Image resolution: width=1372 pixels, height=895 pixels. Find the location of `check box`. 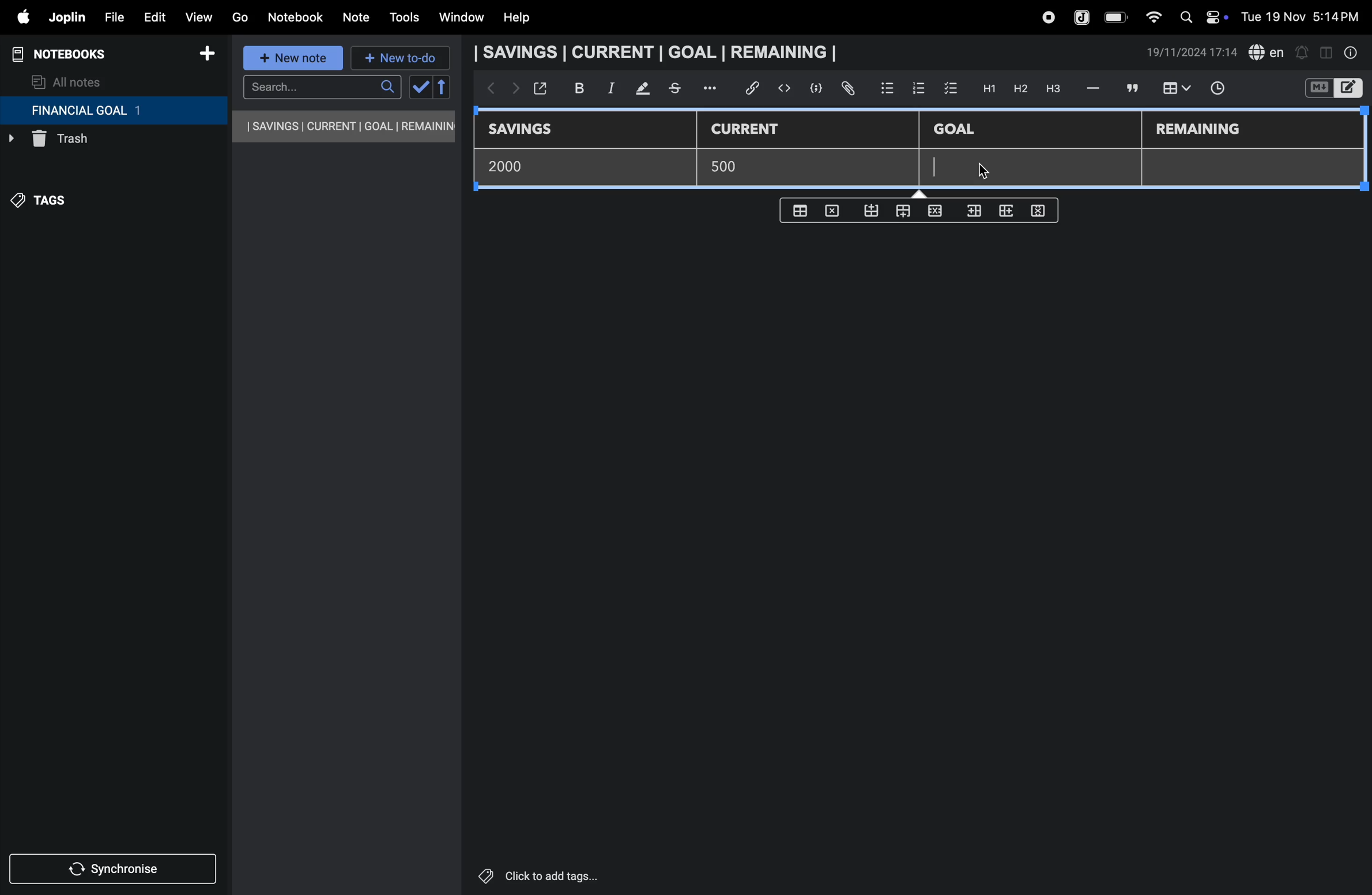

check box is located at coordinates (951, 89).